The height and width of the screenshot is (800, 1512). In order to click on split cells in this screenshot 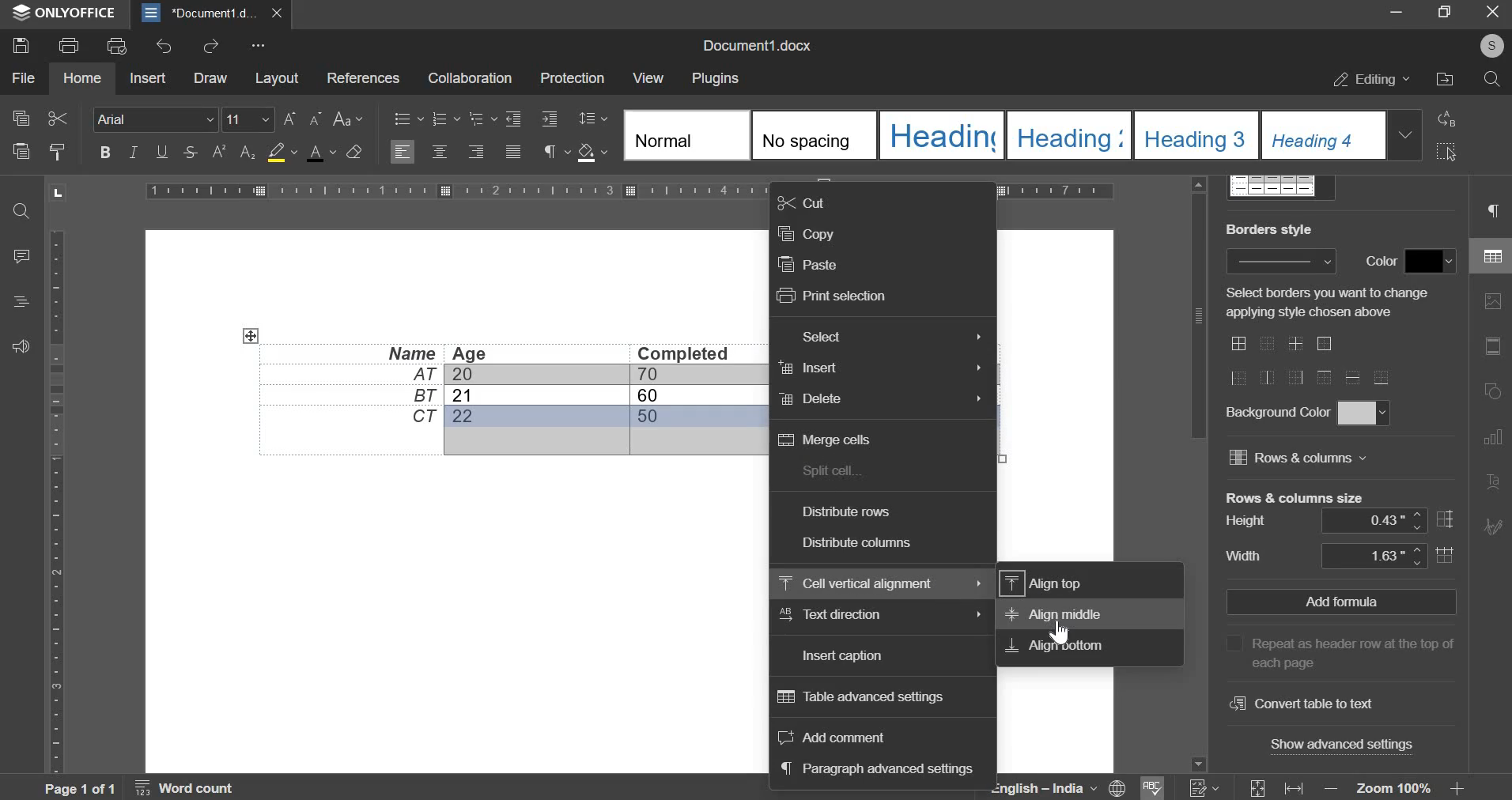, I will do `click(831, 470)`.